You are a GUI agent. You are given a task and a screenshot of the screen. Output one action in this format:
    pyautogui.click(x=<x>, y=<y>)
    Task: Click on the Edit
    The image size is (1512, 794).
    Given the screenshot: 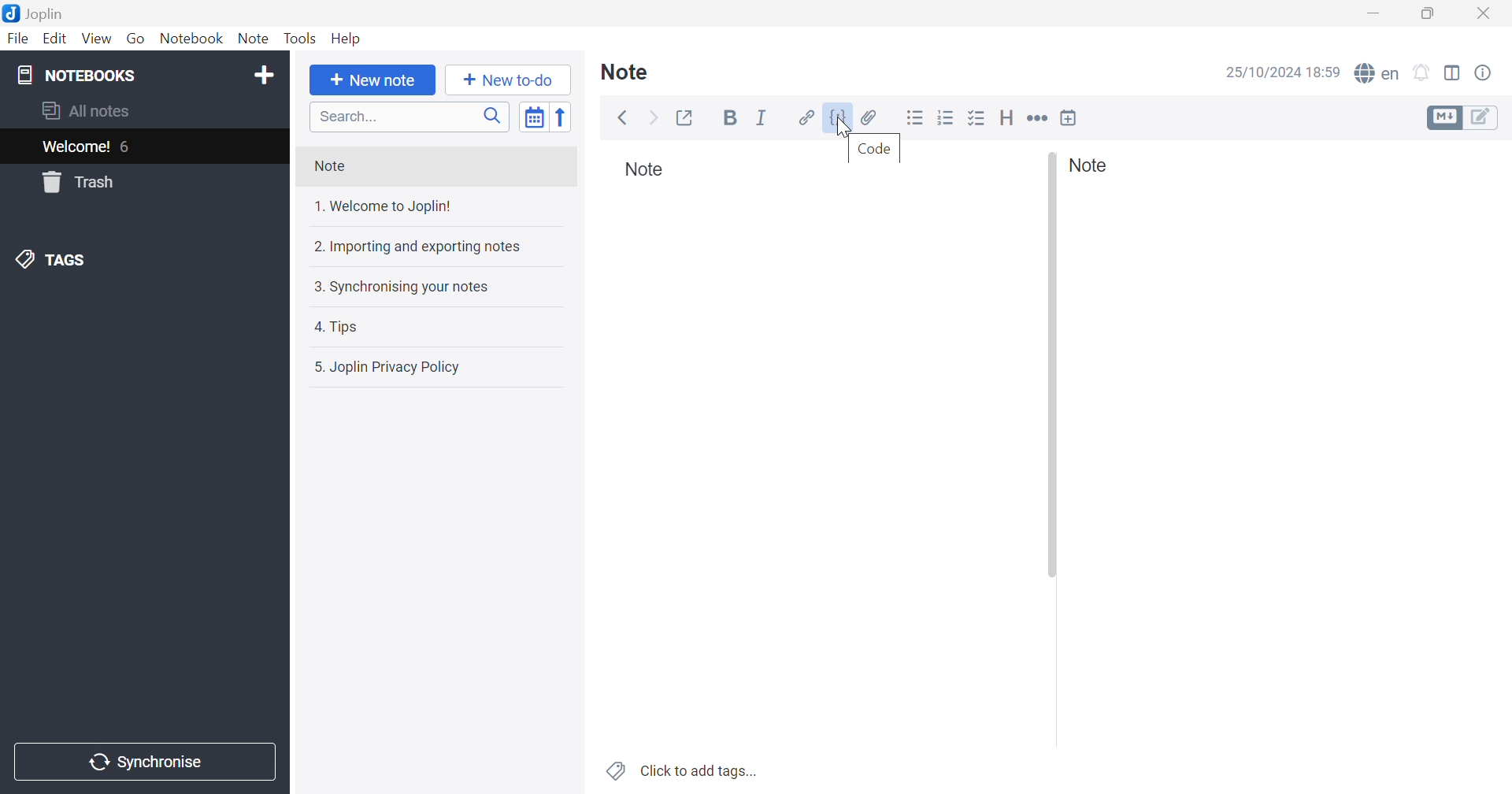 What is the action you would take?
    pyautogui.click(x=53, y=40)
    